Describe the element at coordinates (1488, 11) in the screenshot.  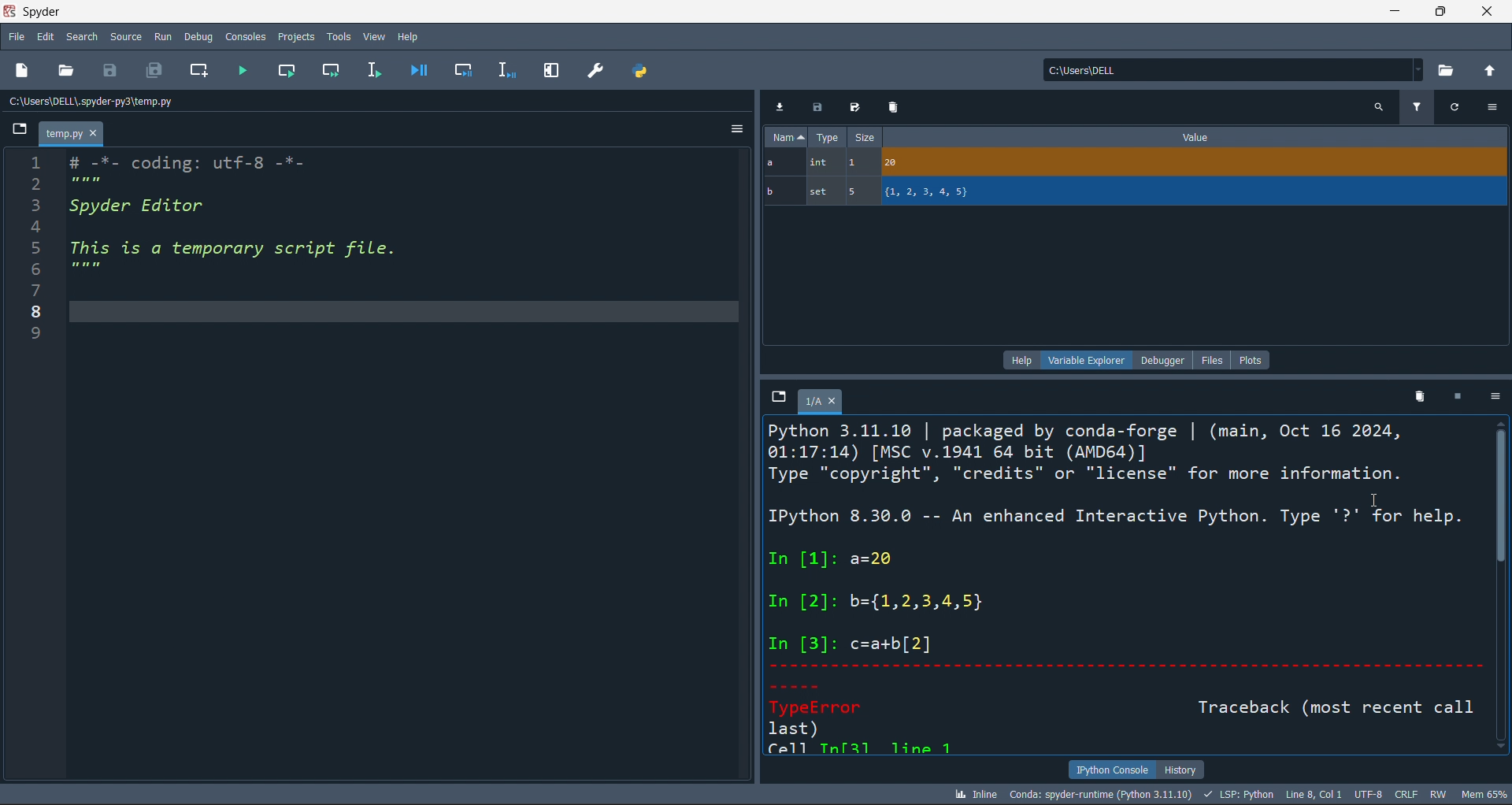
I see `close` at that location.